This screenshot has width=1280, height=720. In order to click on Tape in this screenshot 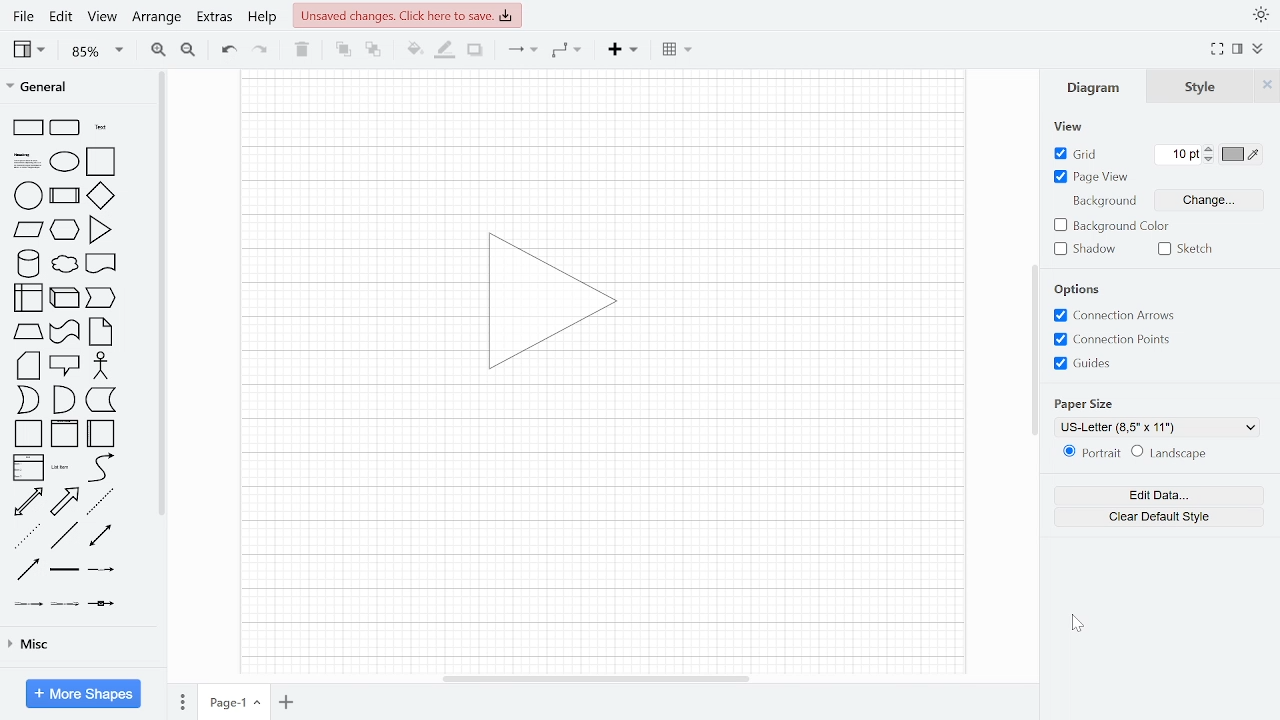, I will do `click(64, 332)`.